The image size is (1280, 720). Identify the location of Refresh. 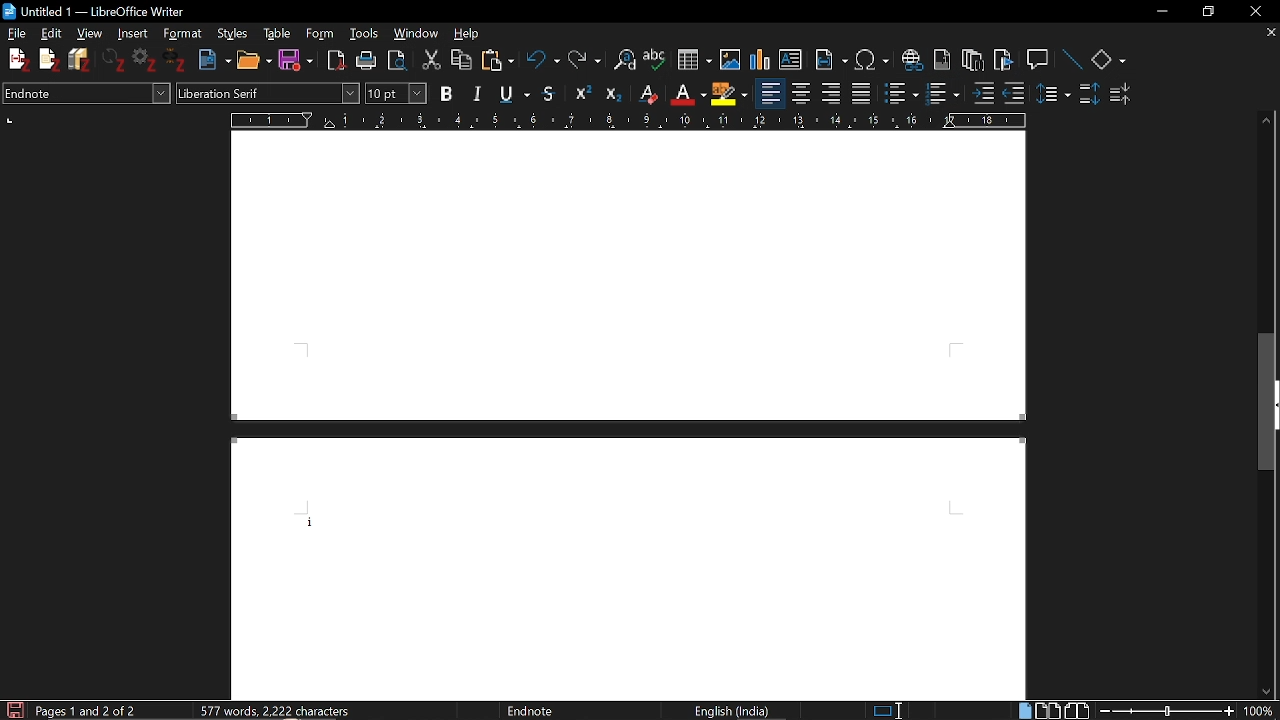
(114, 60).